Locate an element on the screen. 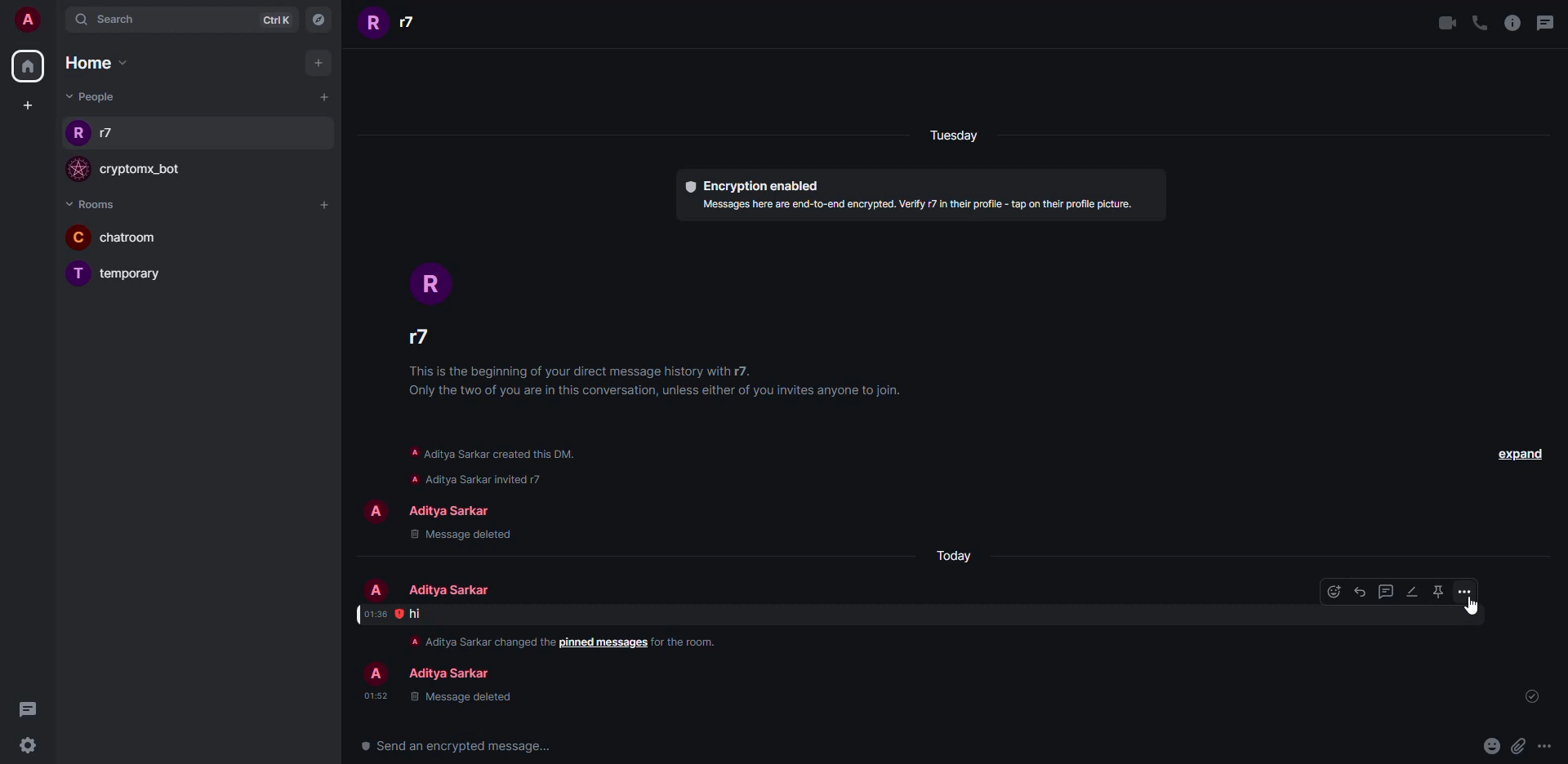 The image size is (1568, 764). edit is located at coordinates (1411, 592).